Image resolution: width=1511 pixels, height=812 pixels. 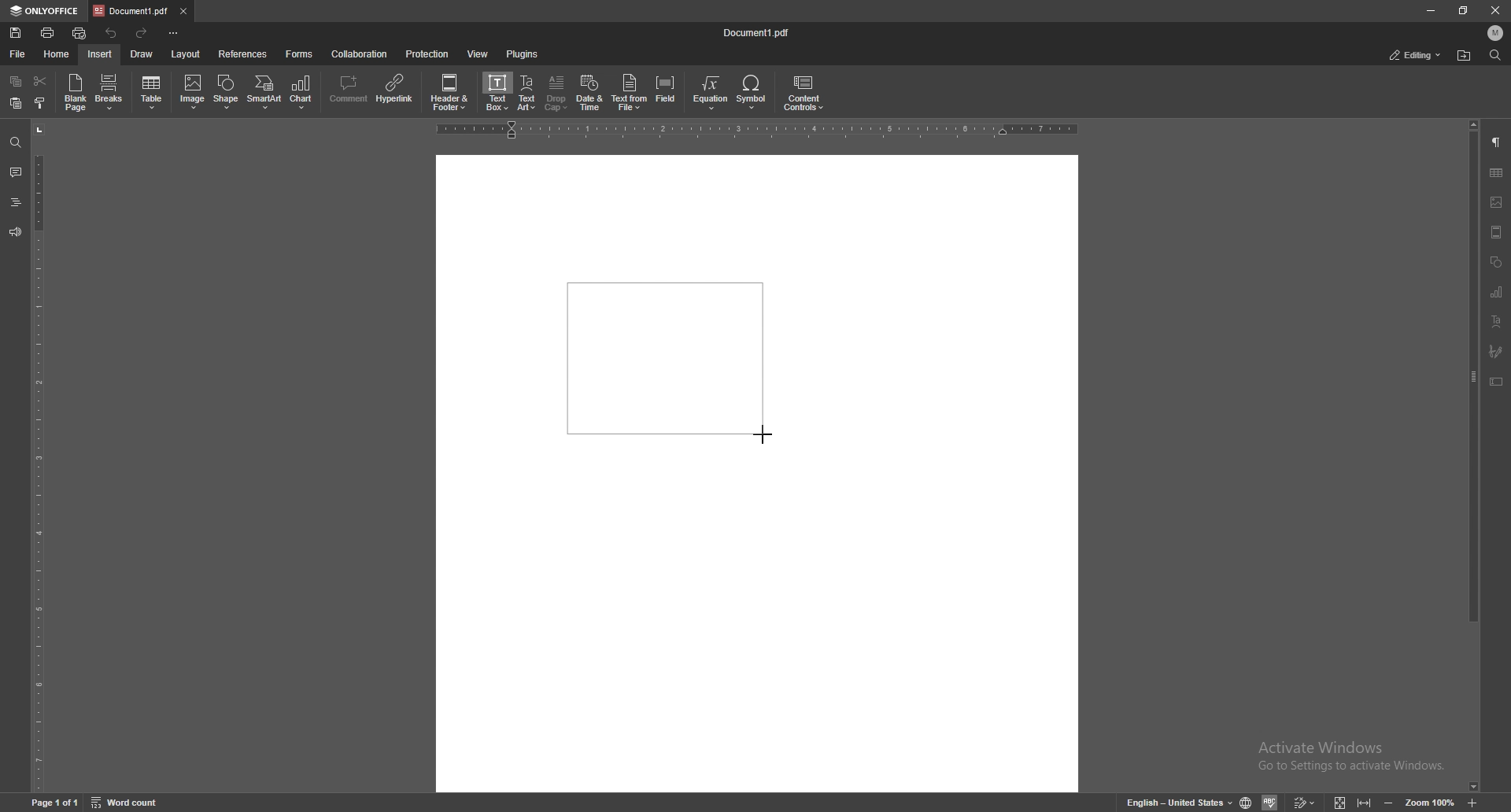 I want to click on copy, so click(x=17, y=80).